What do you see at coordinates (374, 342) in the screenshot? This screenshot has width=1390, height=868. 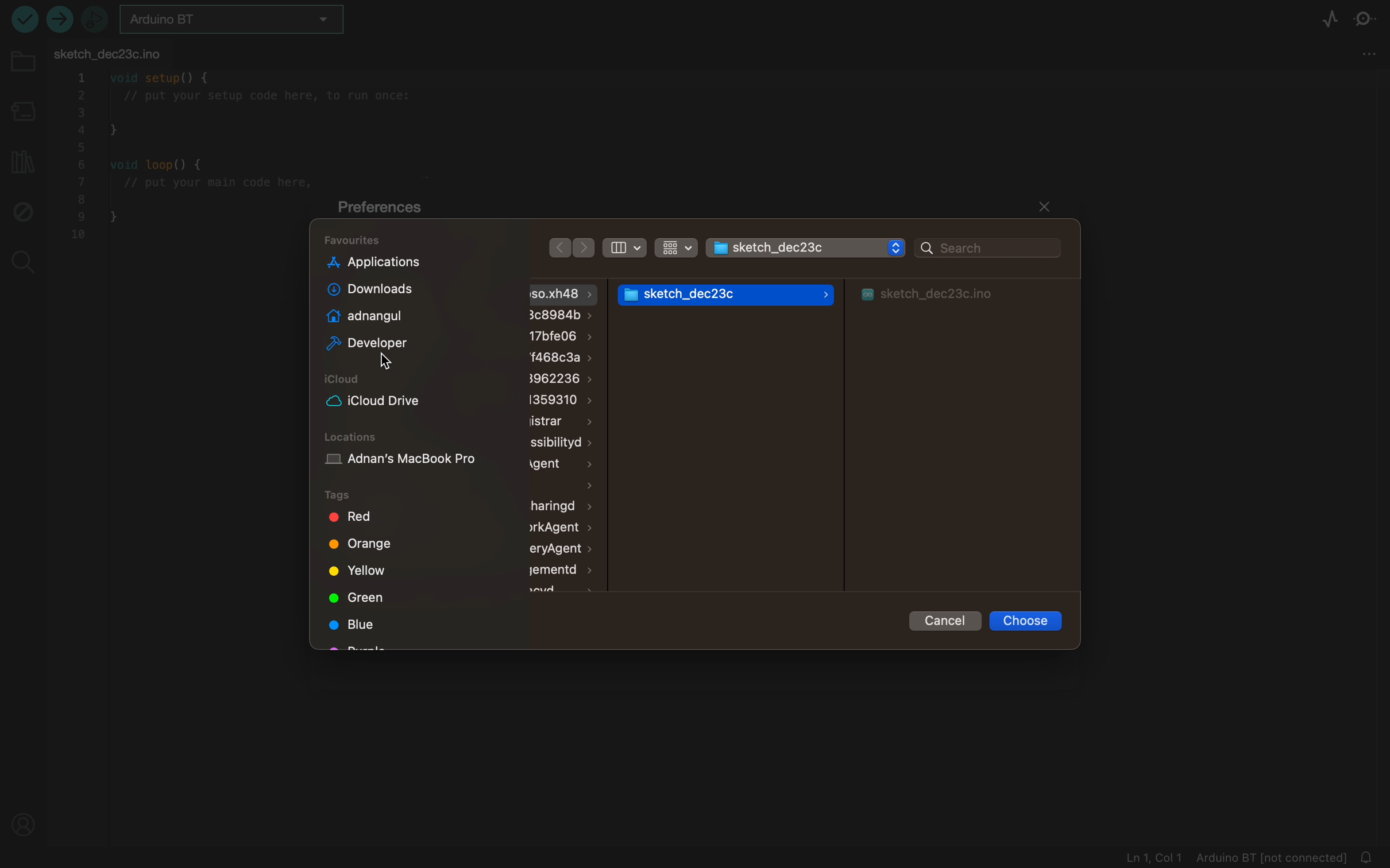 I see `developer` at bounding box center [374, 342].